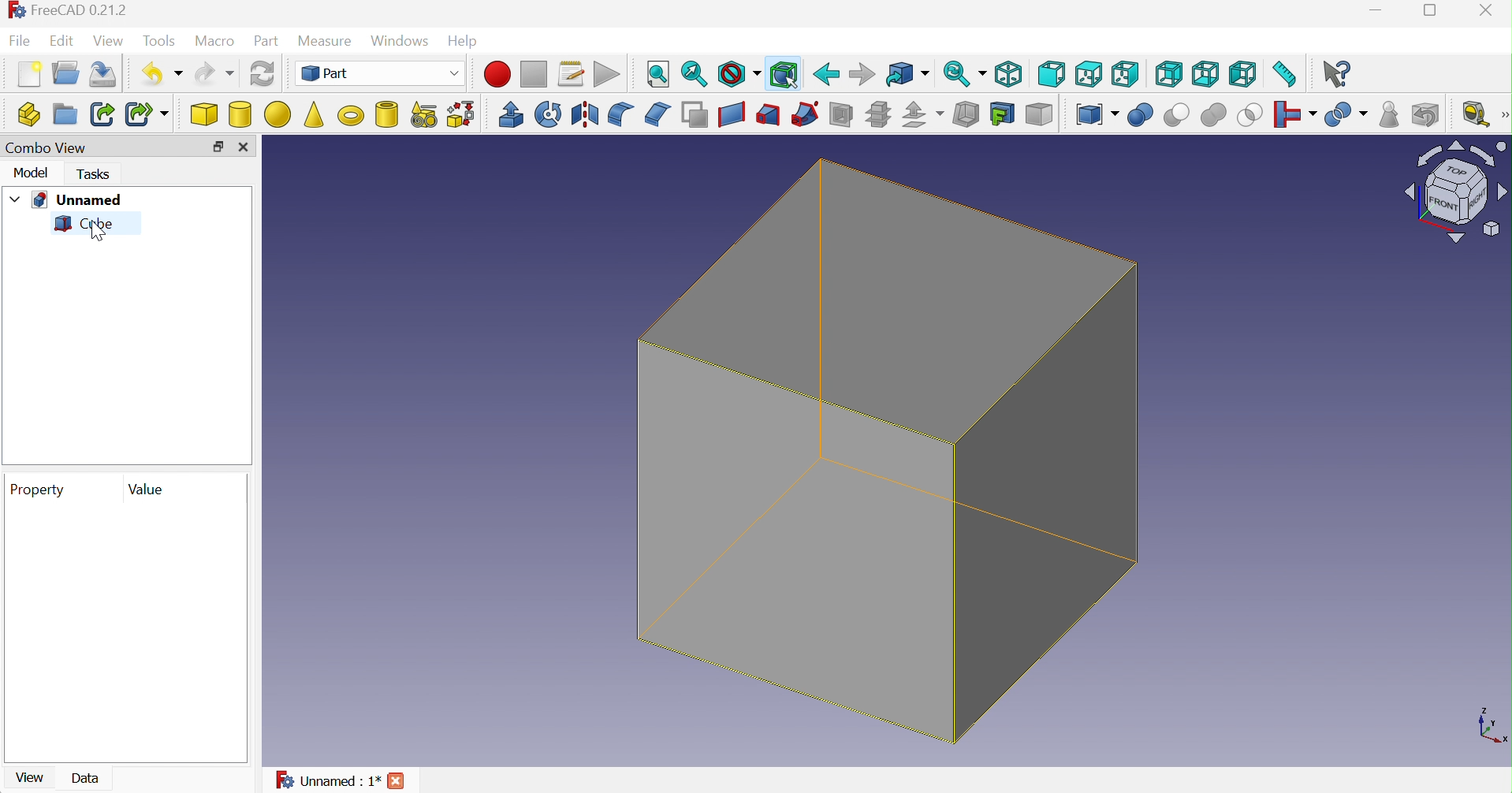 This screenshot has width=1512, height=793. I want to click on Thickness, so click(966, 117).